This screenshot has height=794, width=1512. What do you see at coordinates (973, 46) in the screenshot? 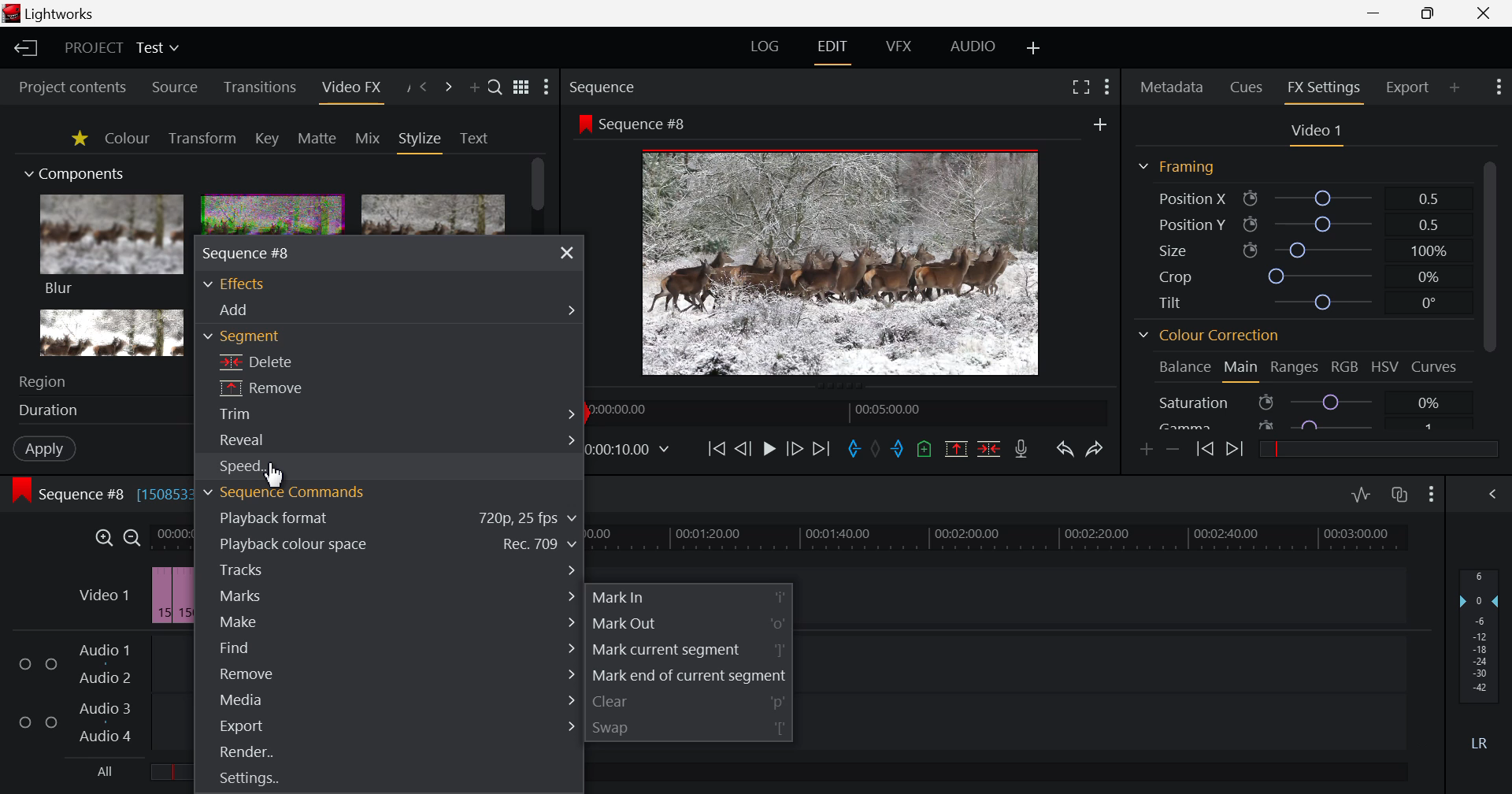
I see `AUDIO Layout` at bounding box center [973, 46].